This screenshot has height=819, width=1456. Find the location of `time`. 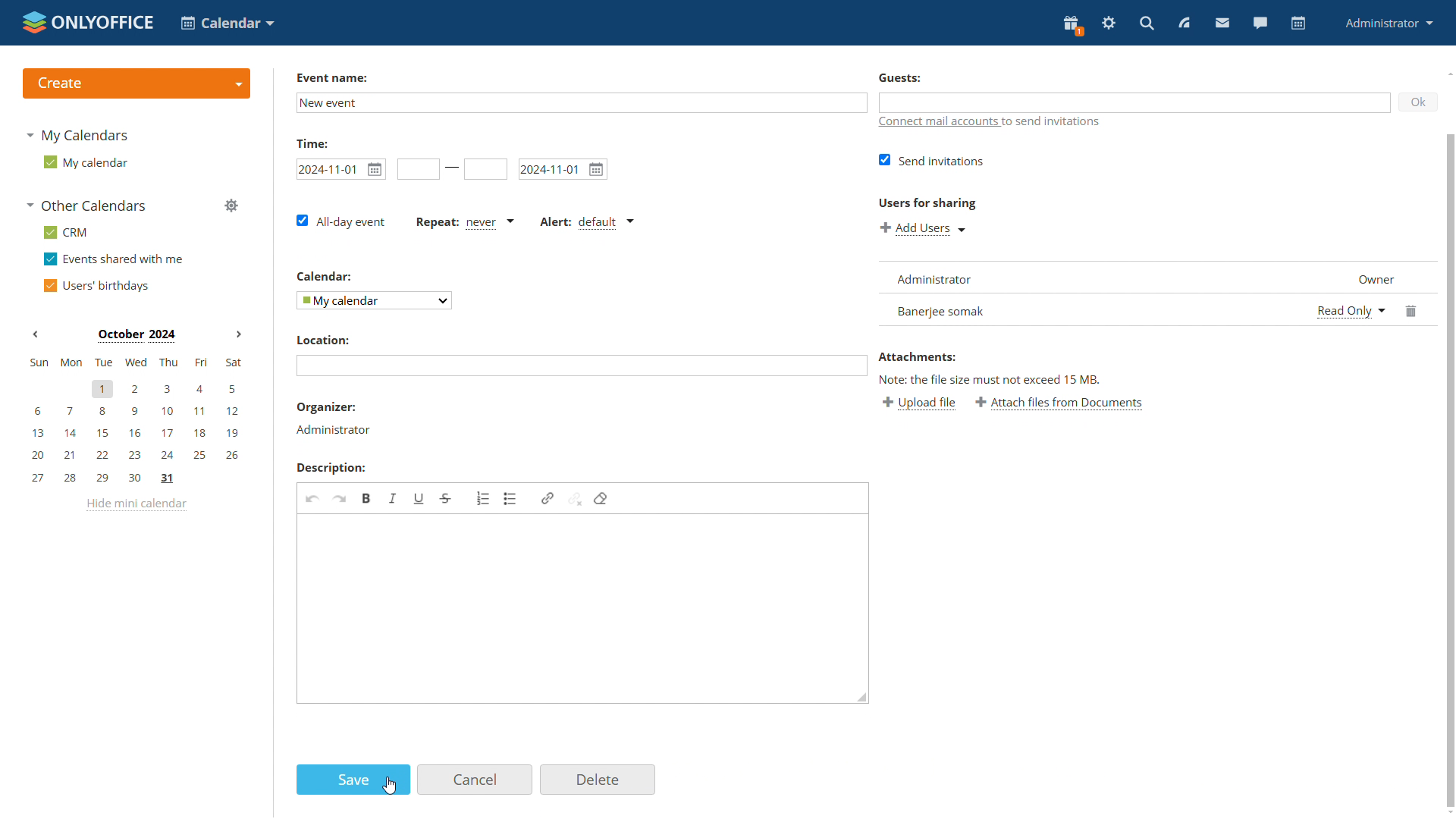

time is located at coordinates (314, 143).